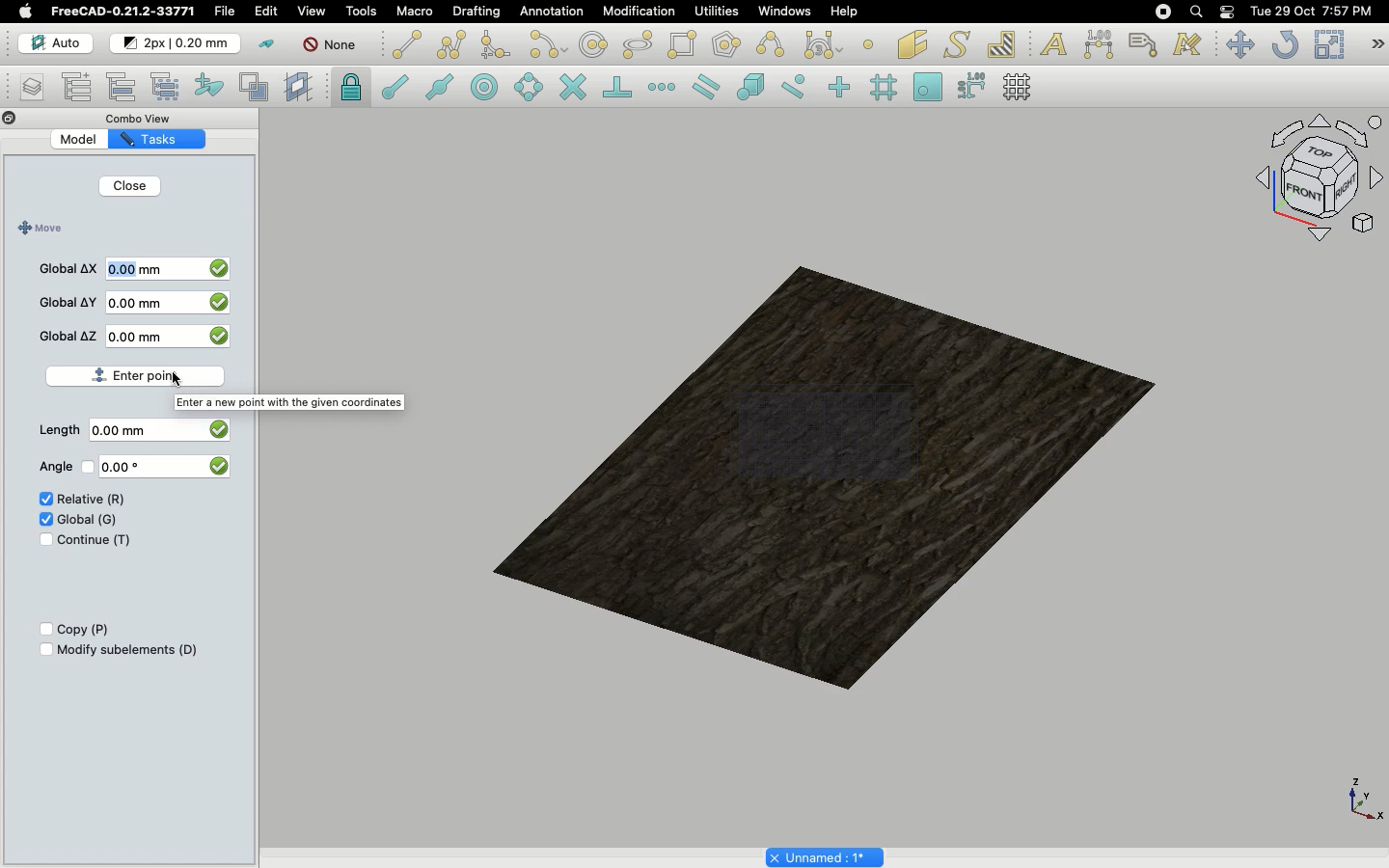  I want to click on Dimension, so click(1101, 44).